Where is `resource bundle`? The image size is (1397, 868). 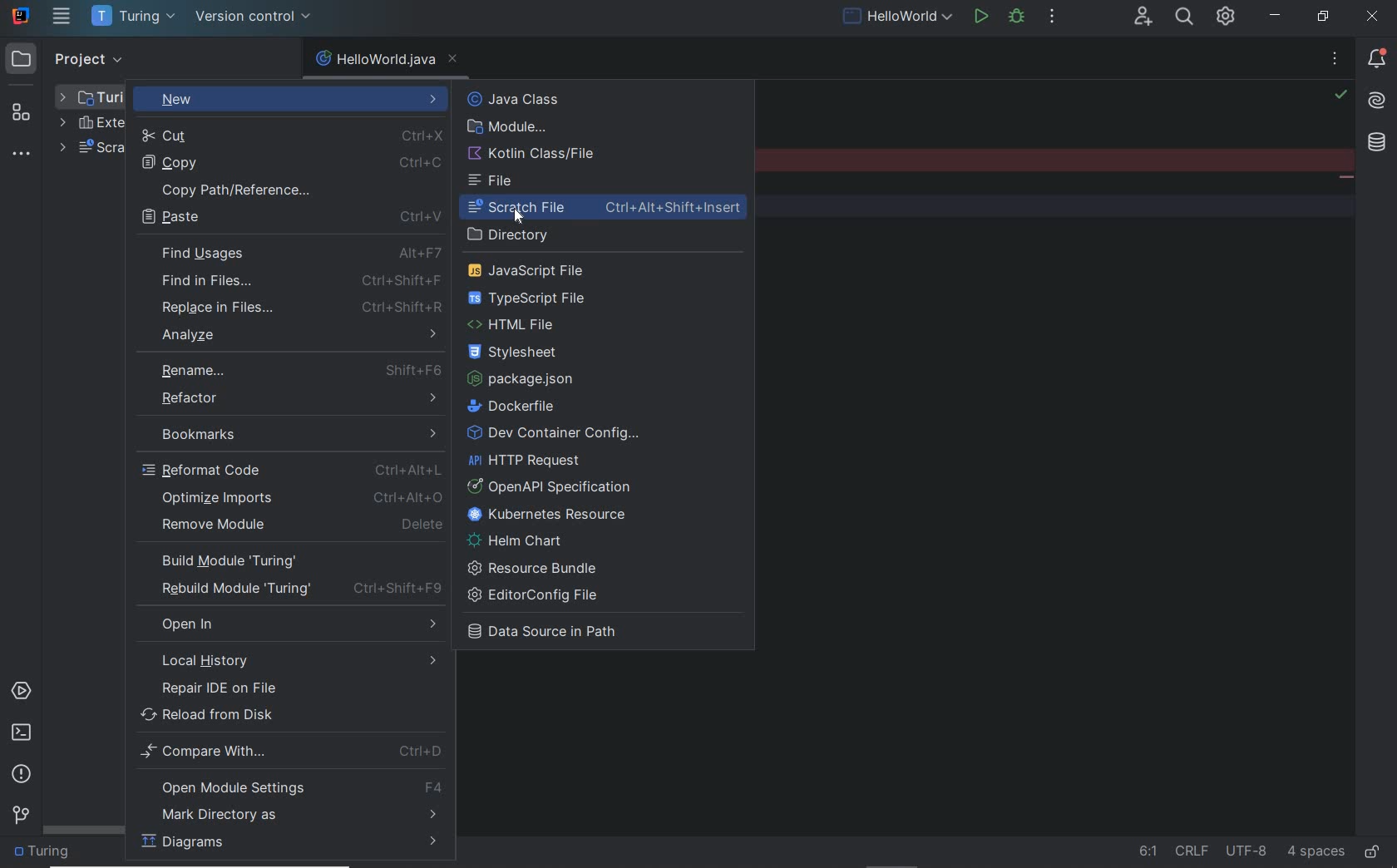
resource bundle is located at coordinates (537, 567).